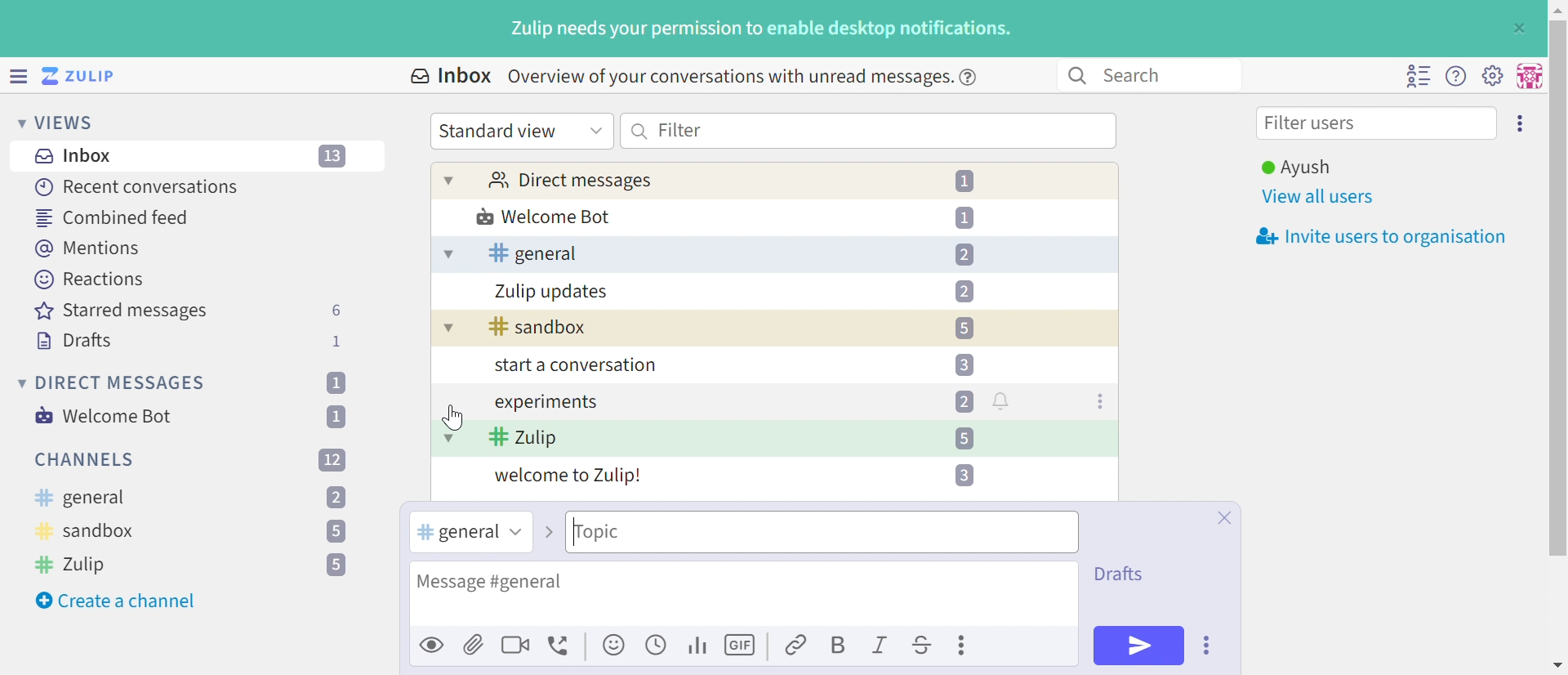  What do you see at coordinates (964, 364) in the screenshot?
I see `3` at bounding box center [964, 364].